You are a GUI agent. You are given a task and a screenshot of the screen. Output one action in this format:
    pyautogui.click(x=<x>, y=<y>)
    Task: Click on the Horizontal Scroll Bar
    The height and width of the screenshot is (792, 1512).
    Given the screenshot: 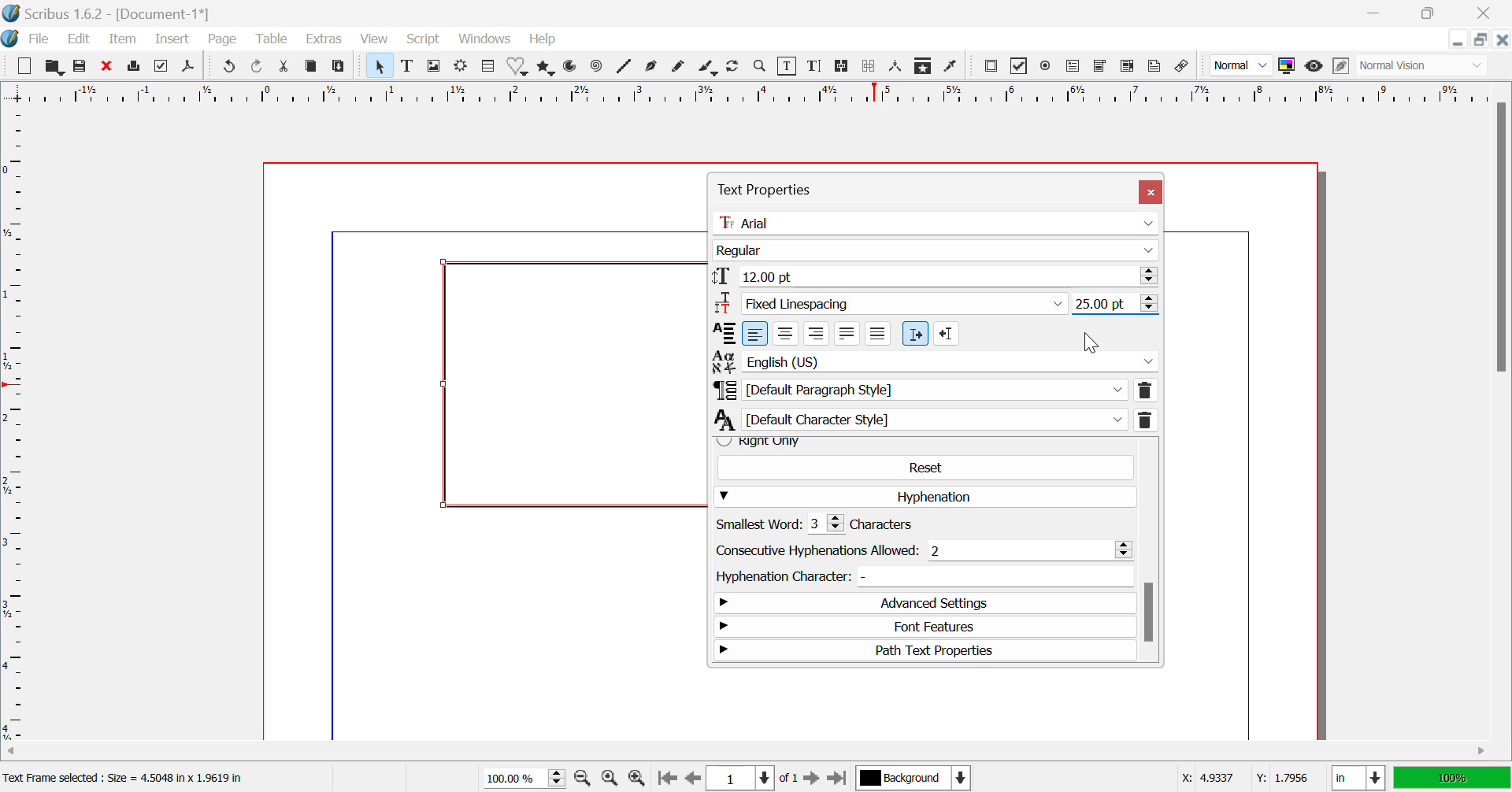 What is the action you would take?
    pyautogui.click(x=736, y=751)
    